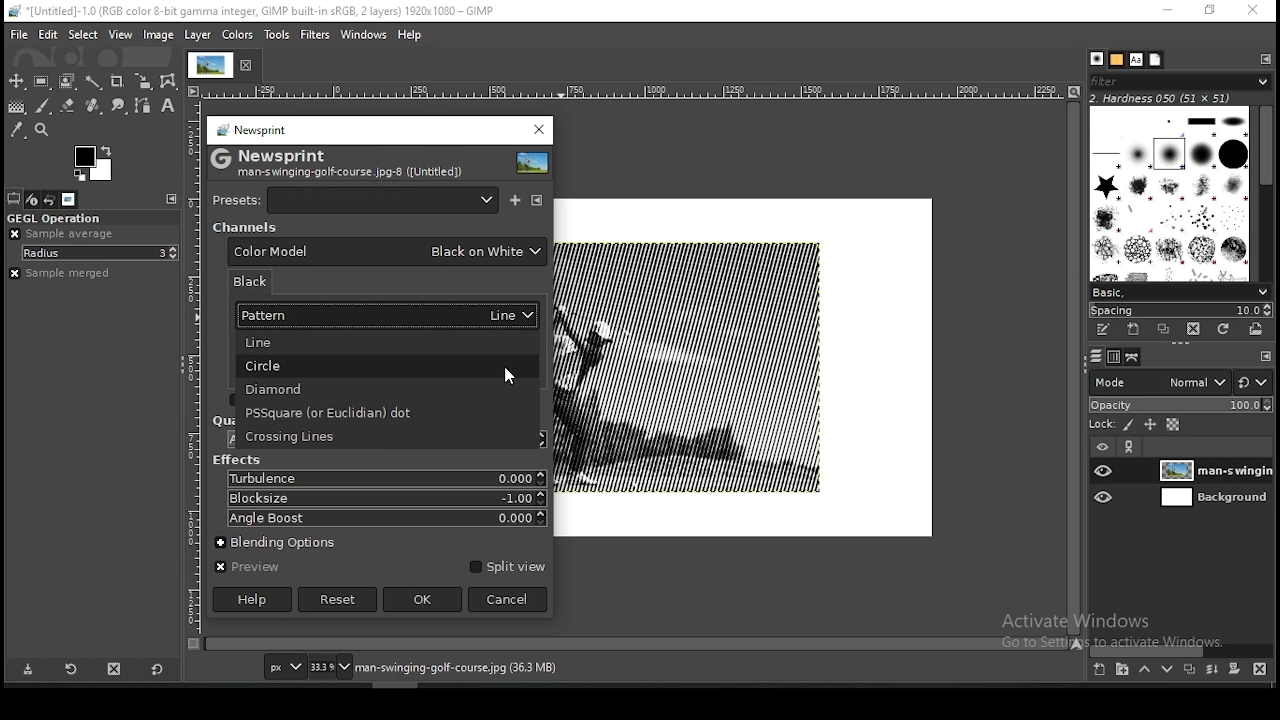  What do you see at coordinates (358, 199) in the screenshot?
I see `presets` at bounding box center [358, 199].